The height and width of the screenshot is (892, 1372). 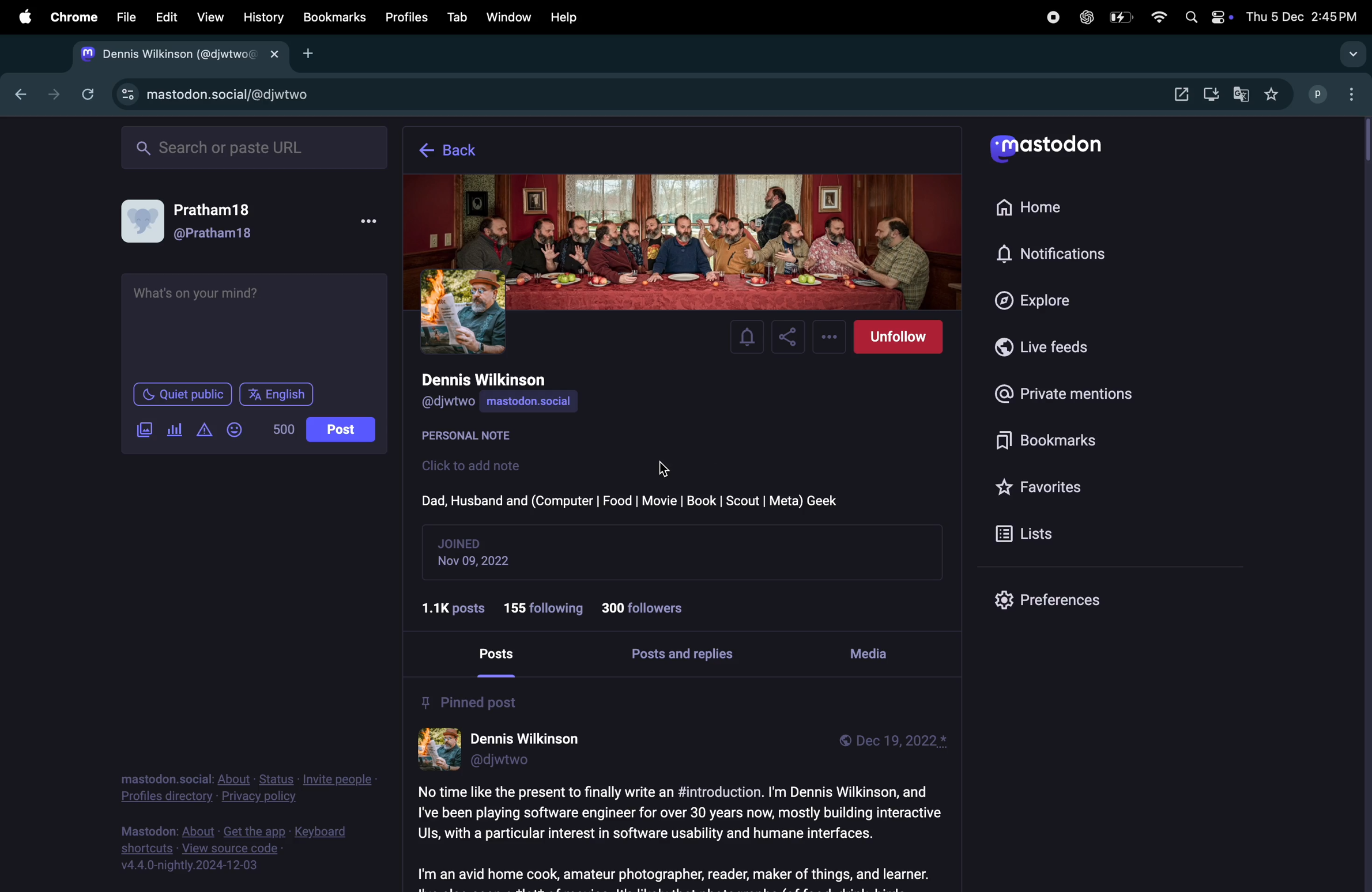 What do you see at coordinates (501, 380) in the screenshot?
I see `user name` at bounding box center [501, 380].